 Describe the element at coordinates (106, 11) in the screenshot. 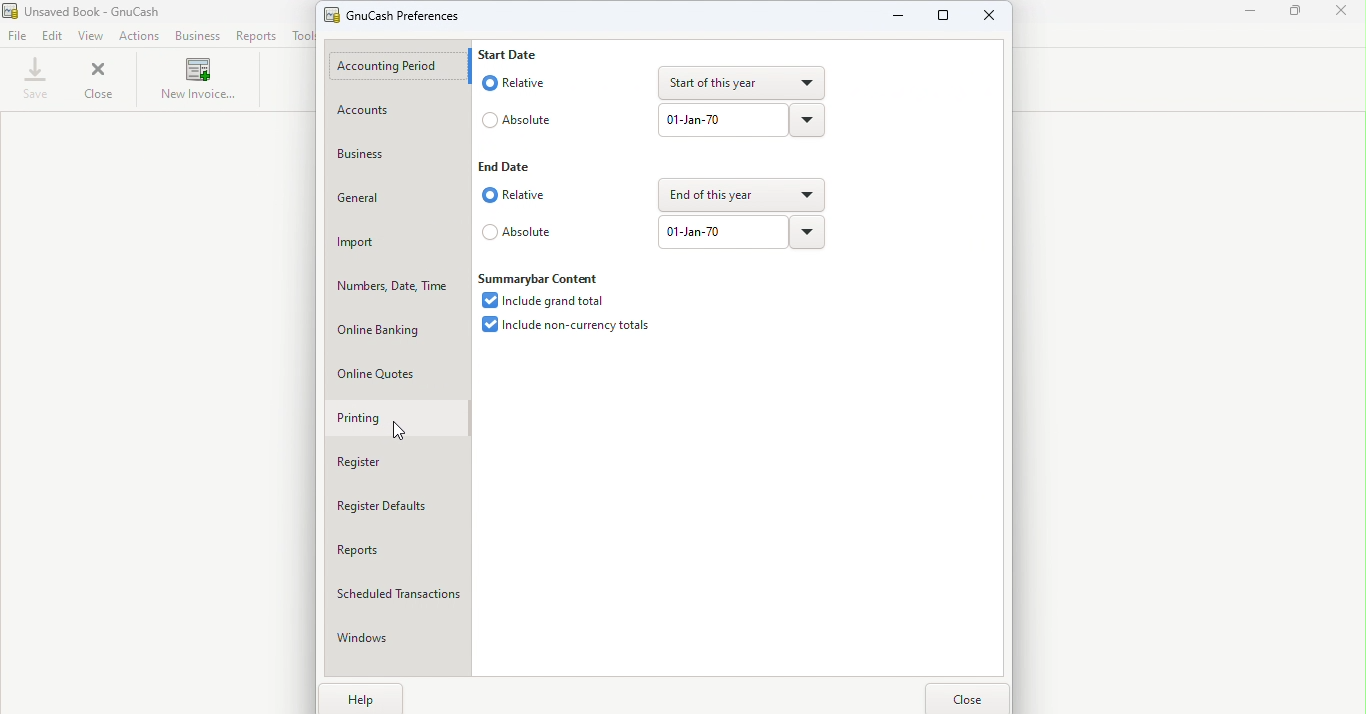

I see `Unsaved Book - GnuCash` at that location.